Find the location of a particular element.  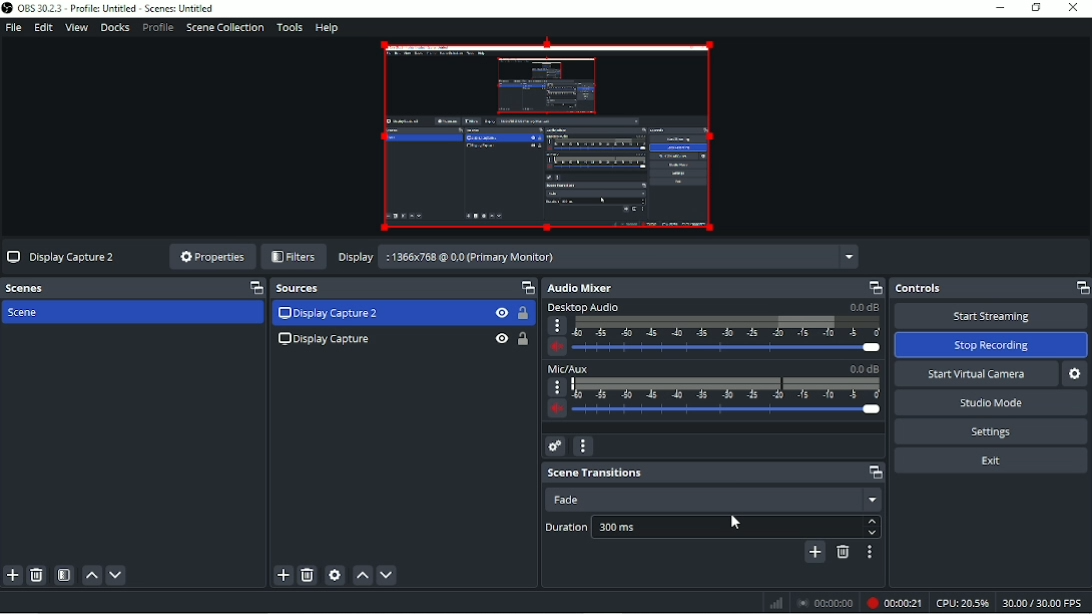

Start virtual camera is located at coordinates (976, 375).